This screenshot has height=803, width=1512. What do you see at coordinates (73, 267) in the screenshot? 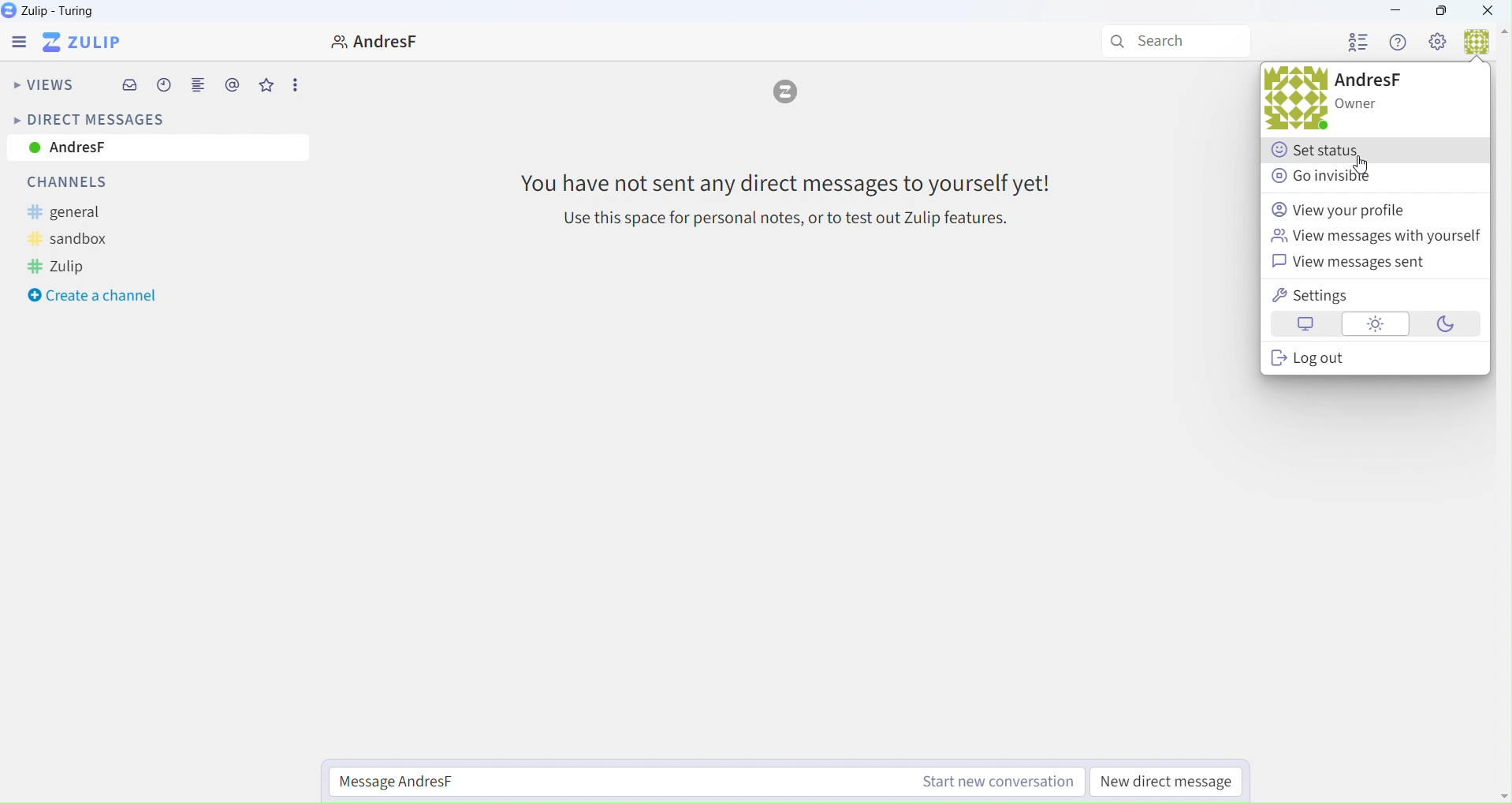
I see `Zulip` at bounding box center [73, 267].